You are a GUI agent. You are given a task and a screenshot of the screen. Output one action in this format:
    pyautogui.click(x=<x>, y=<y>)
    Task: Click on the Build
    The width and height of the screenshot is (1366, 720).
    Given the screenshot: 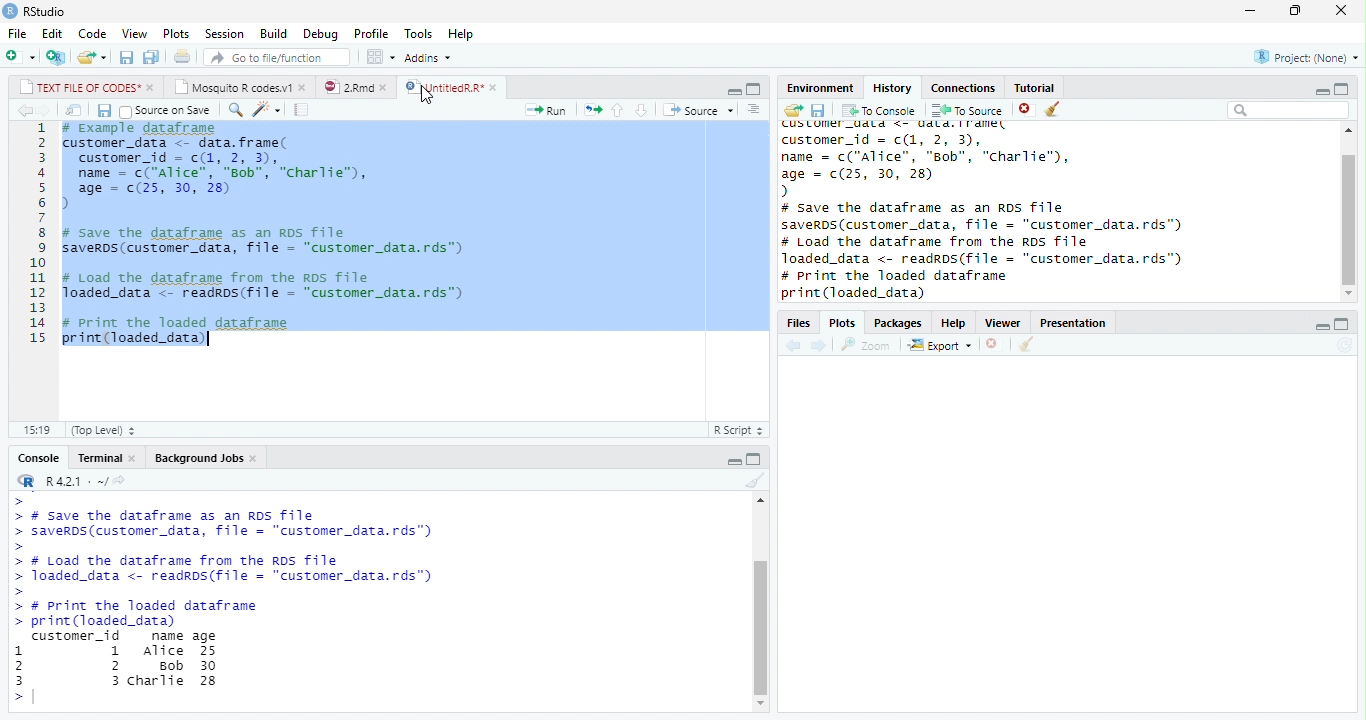 What is the action you would take?
    pyautogui.click(x=274, y=34)
    